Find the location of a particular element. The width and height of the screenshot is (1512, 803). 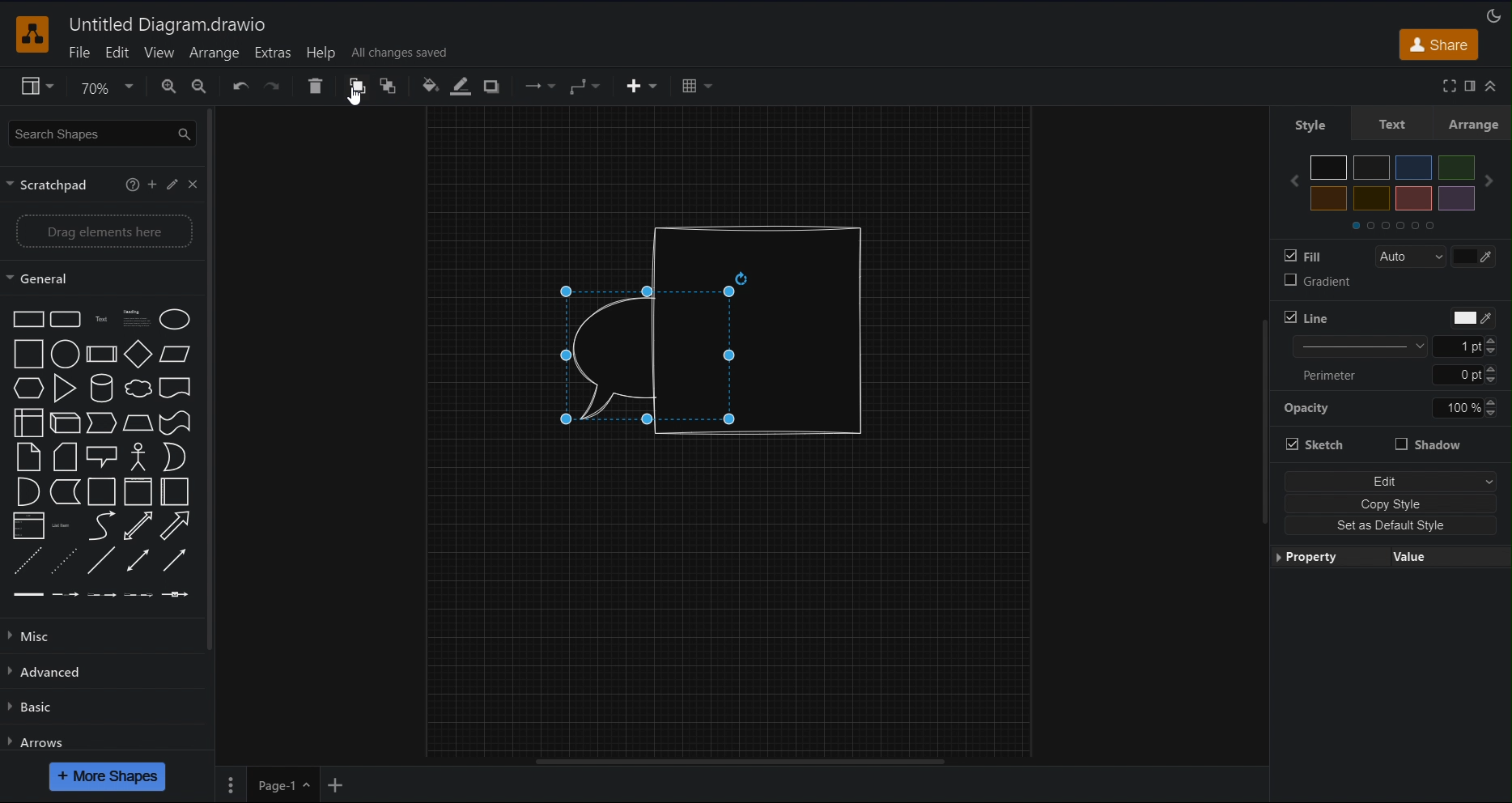

Add is located at coordinates (151, 185).